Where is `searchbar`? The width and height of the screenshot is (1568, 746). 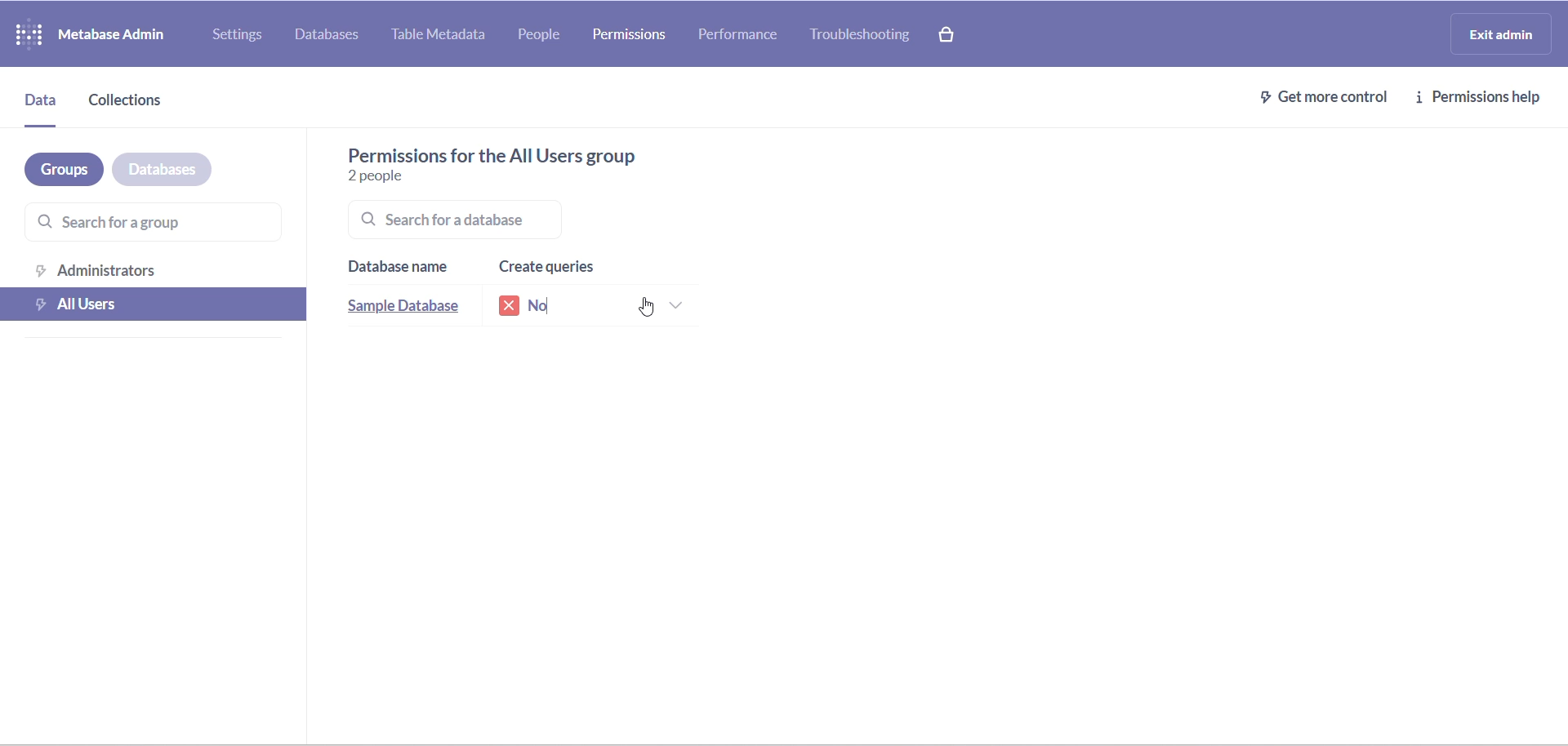 searchbar is located at coordinates (488, 219).